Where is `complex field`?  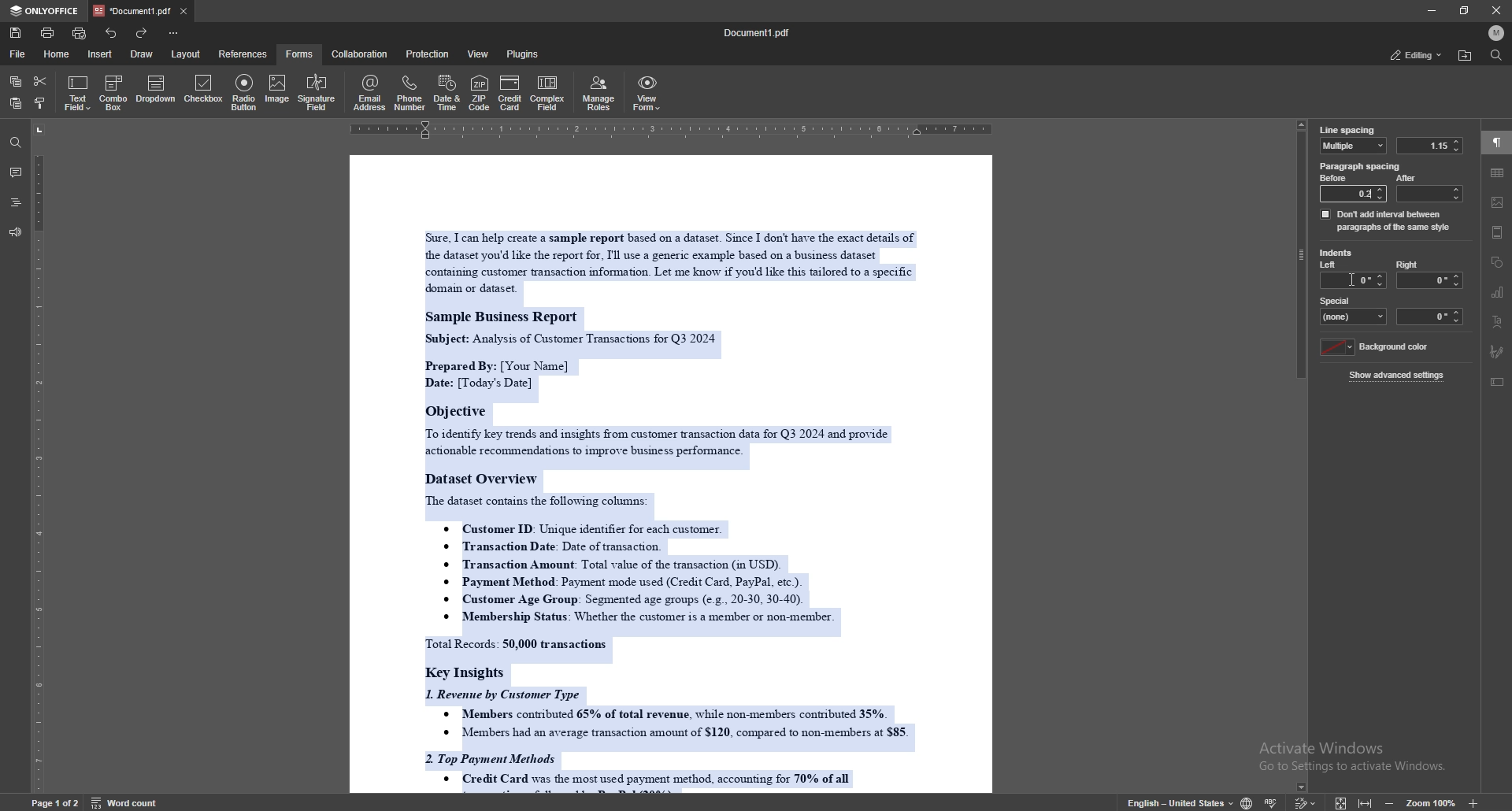
complex field is located at coordinates (550, 93).